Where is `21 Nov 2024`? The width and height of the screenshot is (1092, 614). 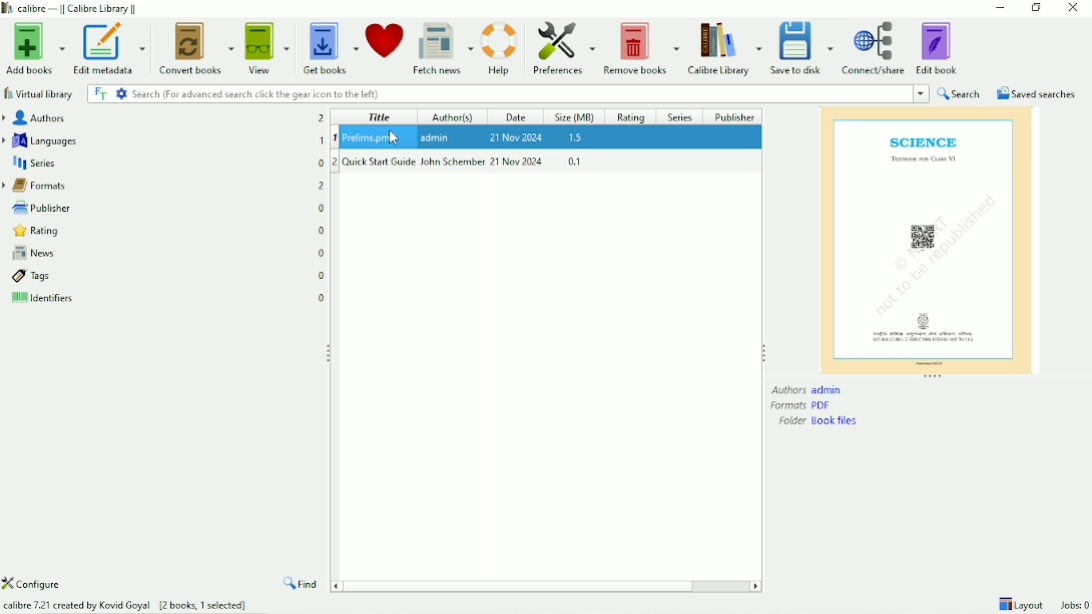 21 Nov 2024 is located at coordinates (518, 161).